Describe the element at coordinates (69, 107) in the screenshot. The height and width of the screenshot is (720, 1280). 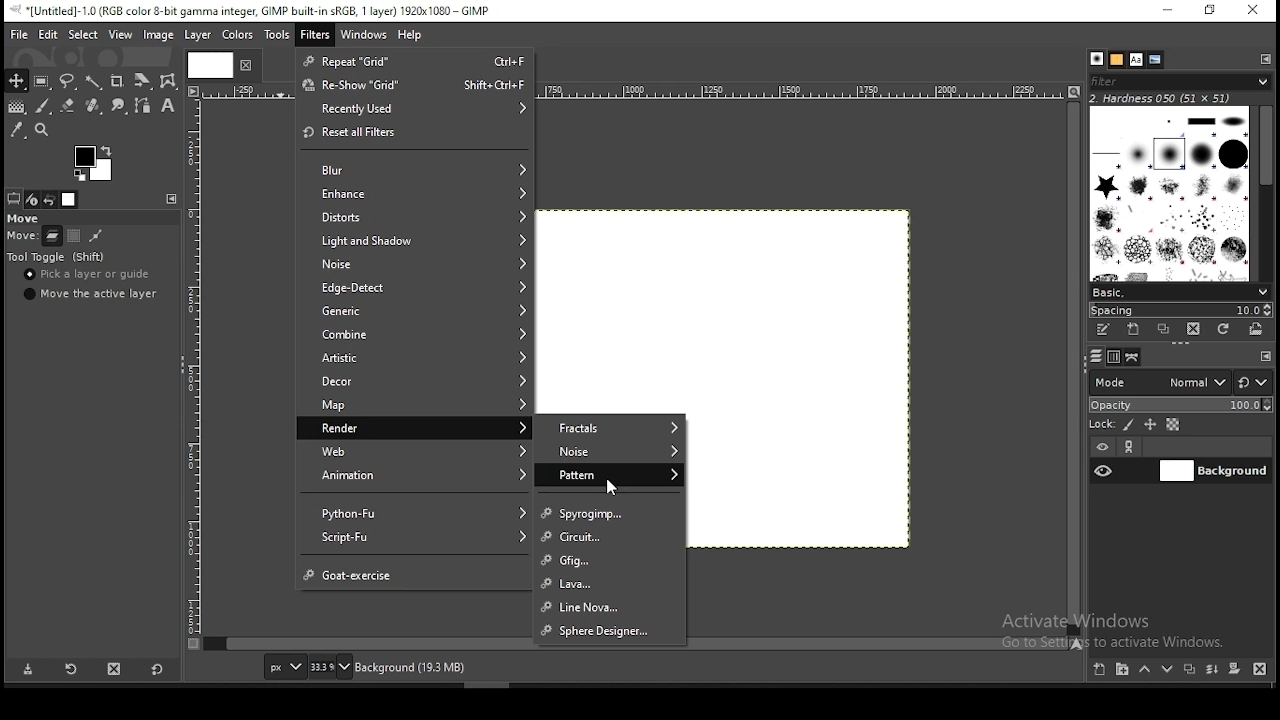
I see `eraser tool` at that location.